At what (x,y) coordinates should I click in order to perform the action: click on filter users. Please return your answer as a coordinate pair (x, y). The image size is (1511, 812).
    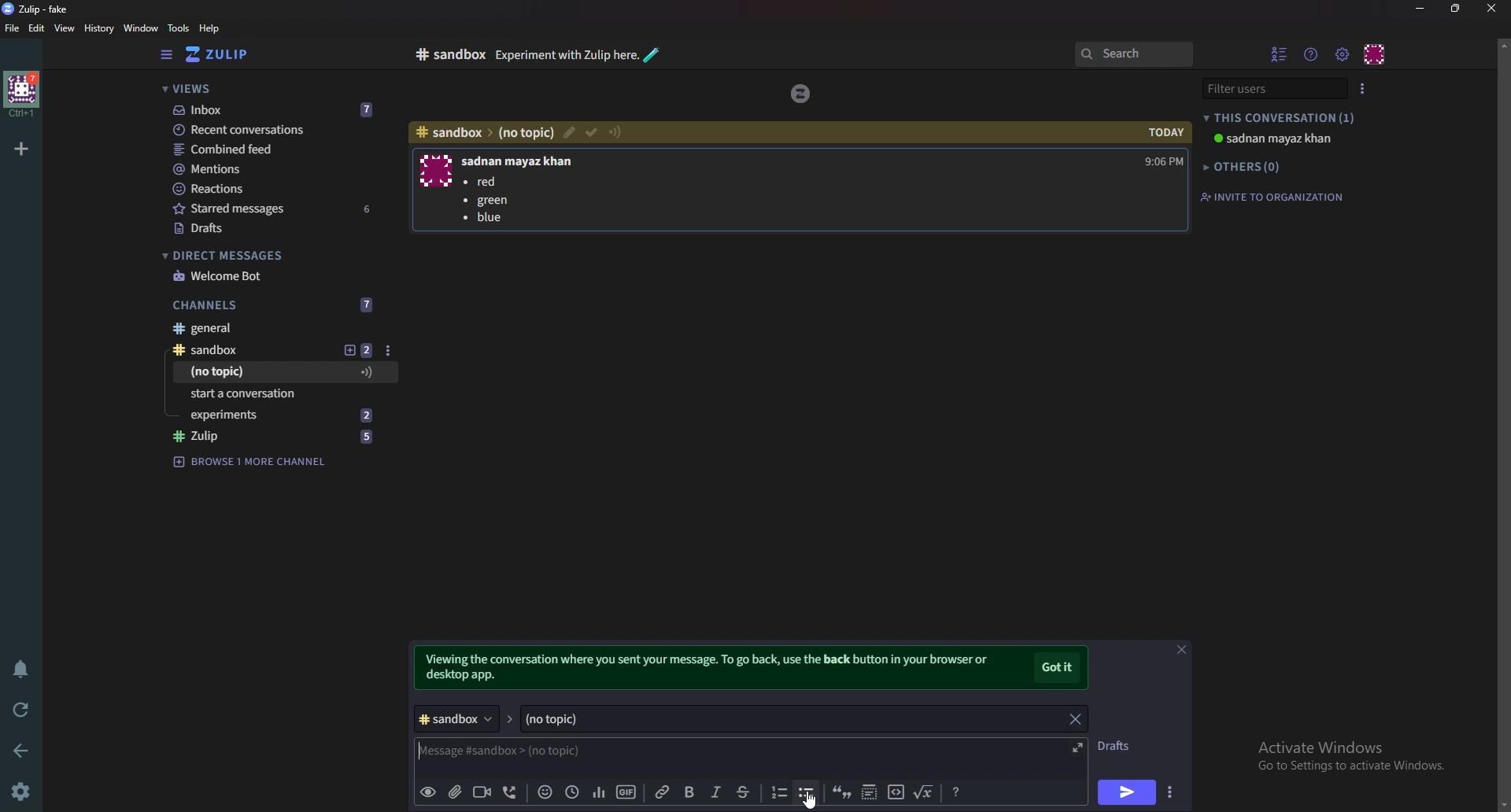
    Looking at the image, I should click on (1270, 88).